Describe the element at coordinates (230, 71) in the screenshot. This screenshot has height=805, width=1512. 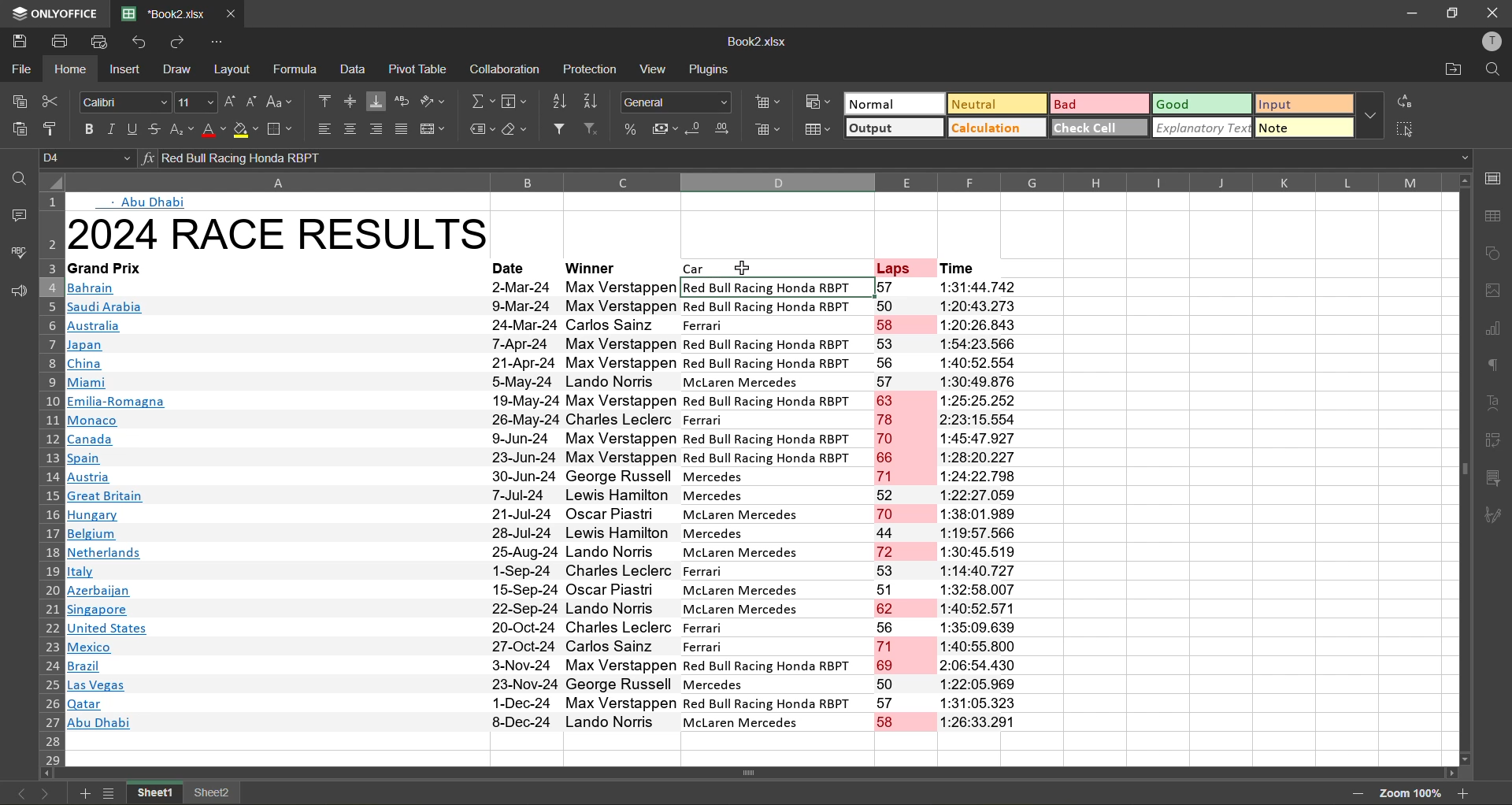
I see `layout` at that location.